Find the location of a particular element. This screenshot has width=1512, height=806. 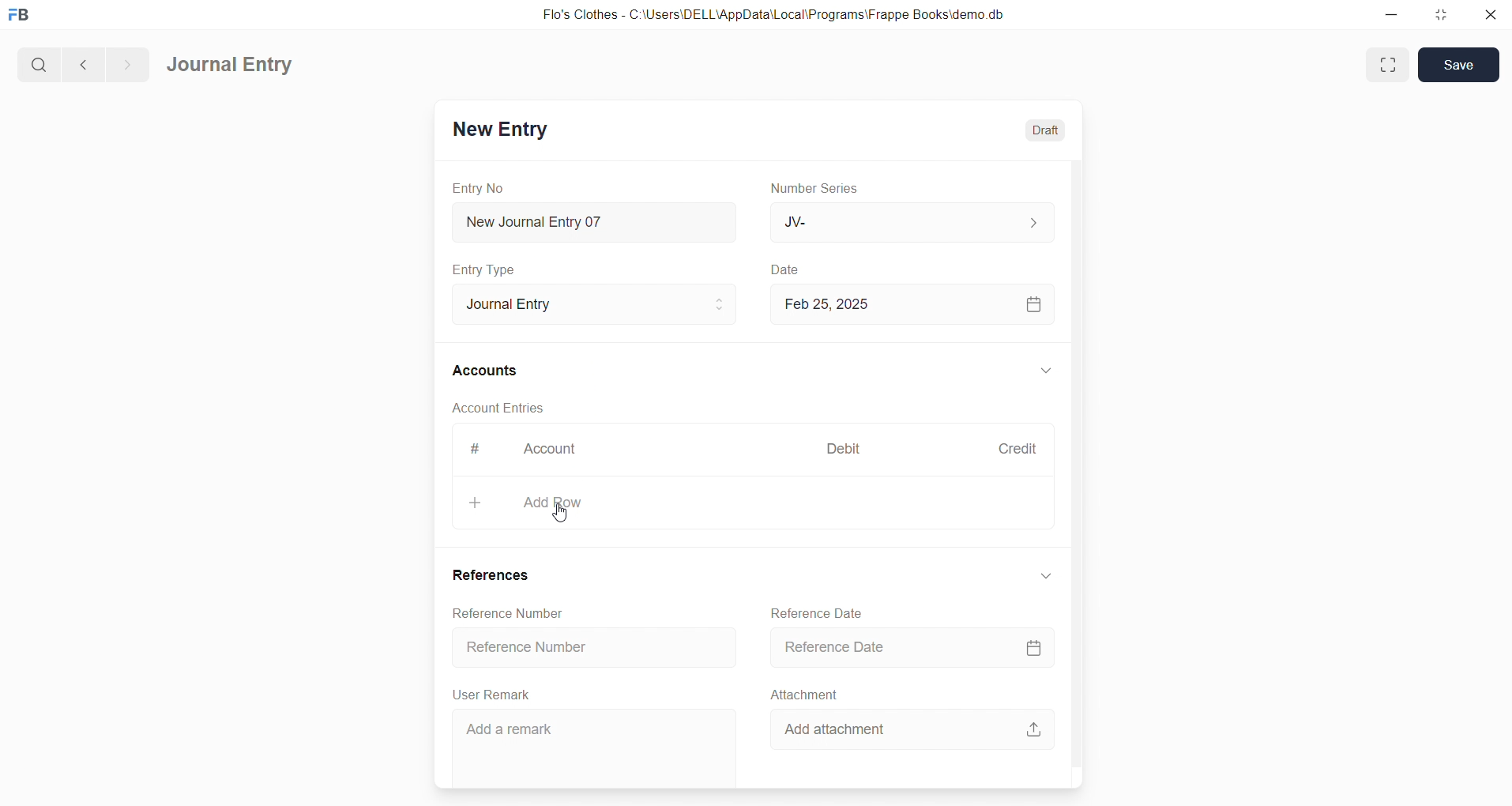

search is located at coordinates (37, 62).